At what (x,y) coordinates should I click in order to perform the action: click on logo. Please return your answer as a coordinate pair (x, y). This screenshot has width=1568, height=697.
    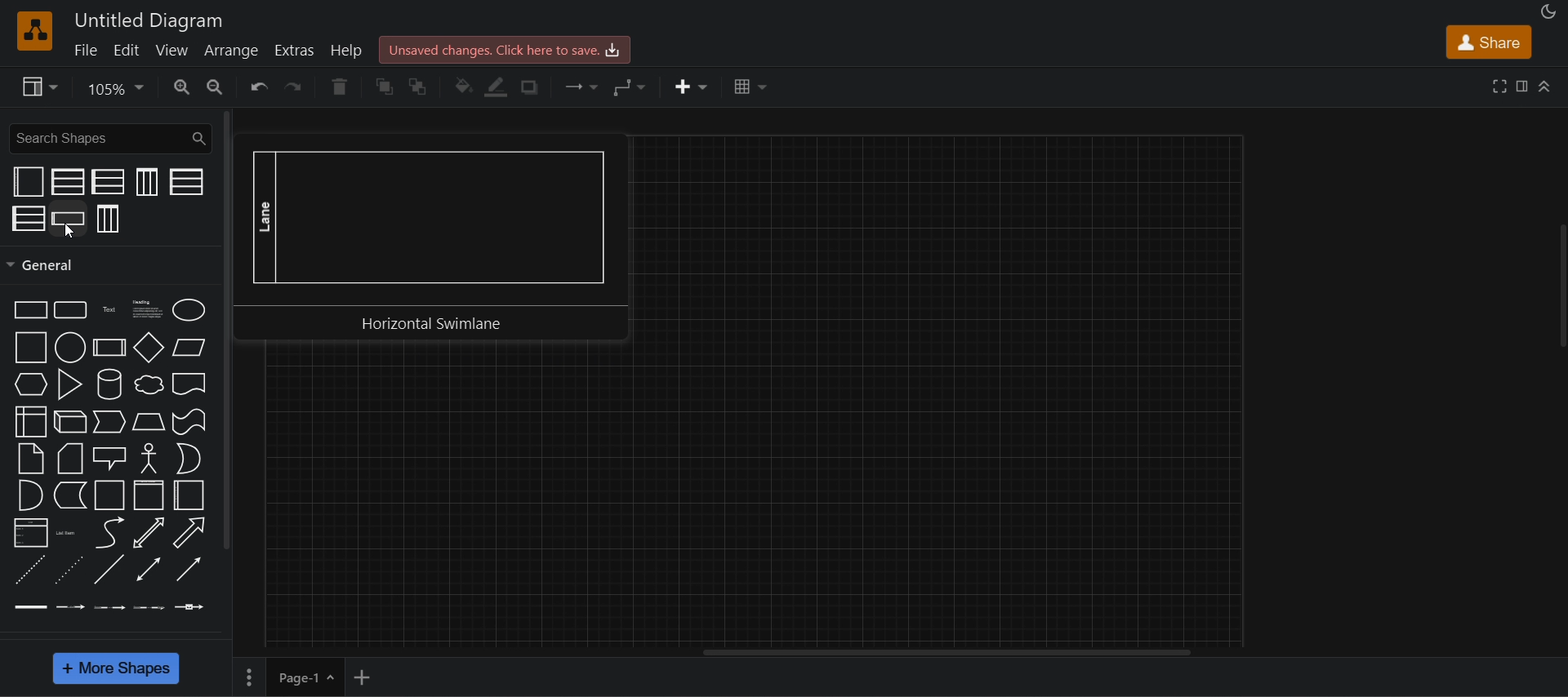
    Looking at the image, I should click on (35, 30).